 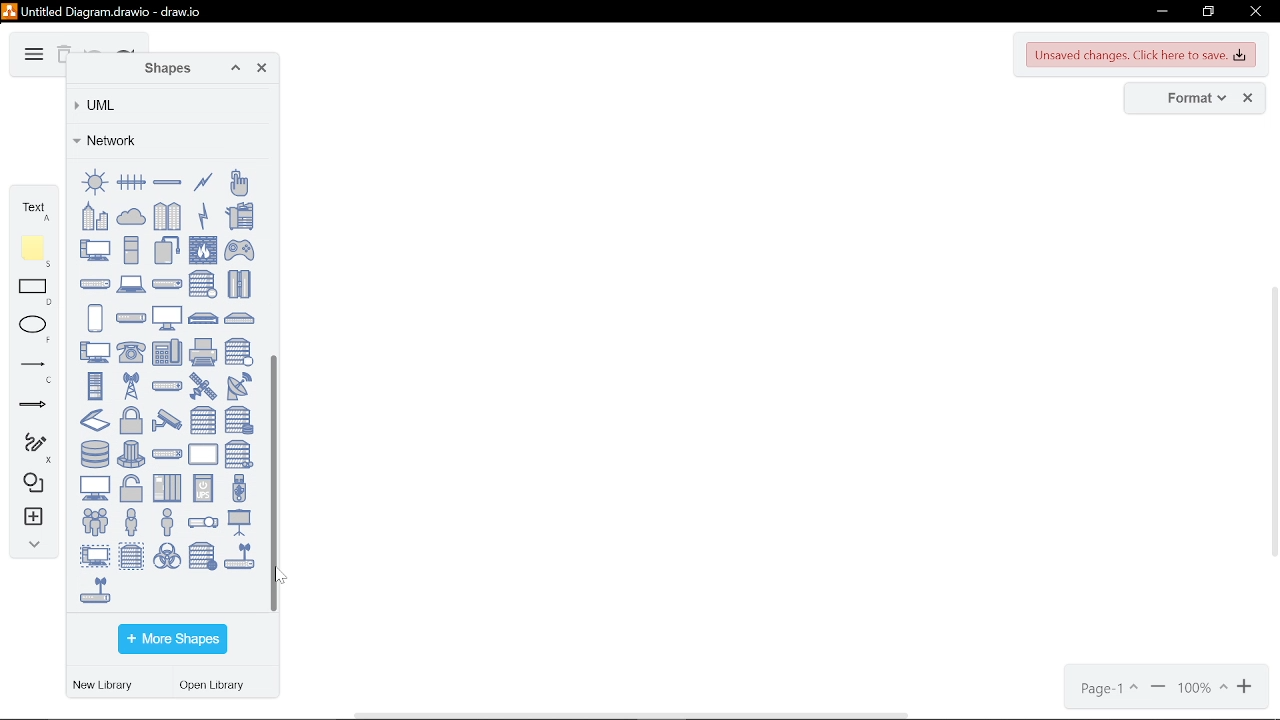 I want to click on proxy server, so click(x=239, y=352).